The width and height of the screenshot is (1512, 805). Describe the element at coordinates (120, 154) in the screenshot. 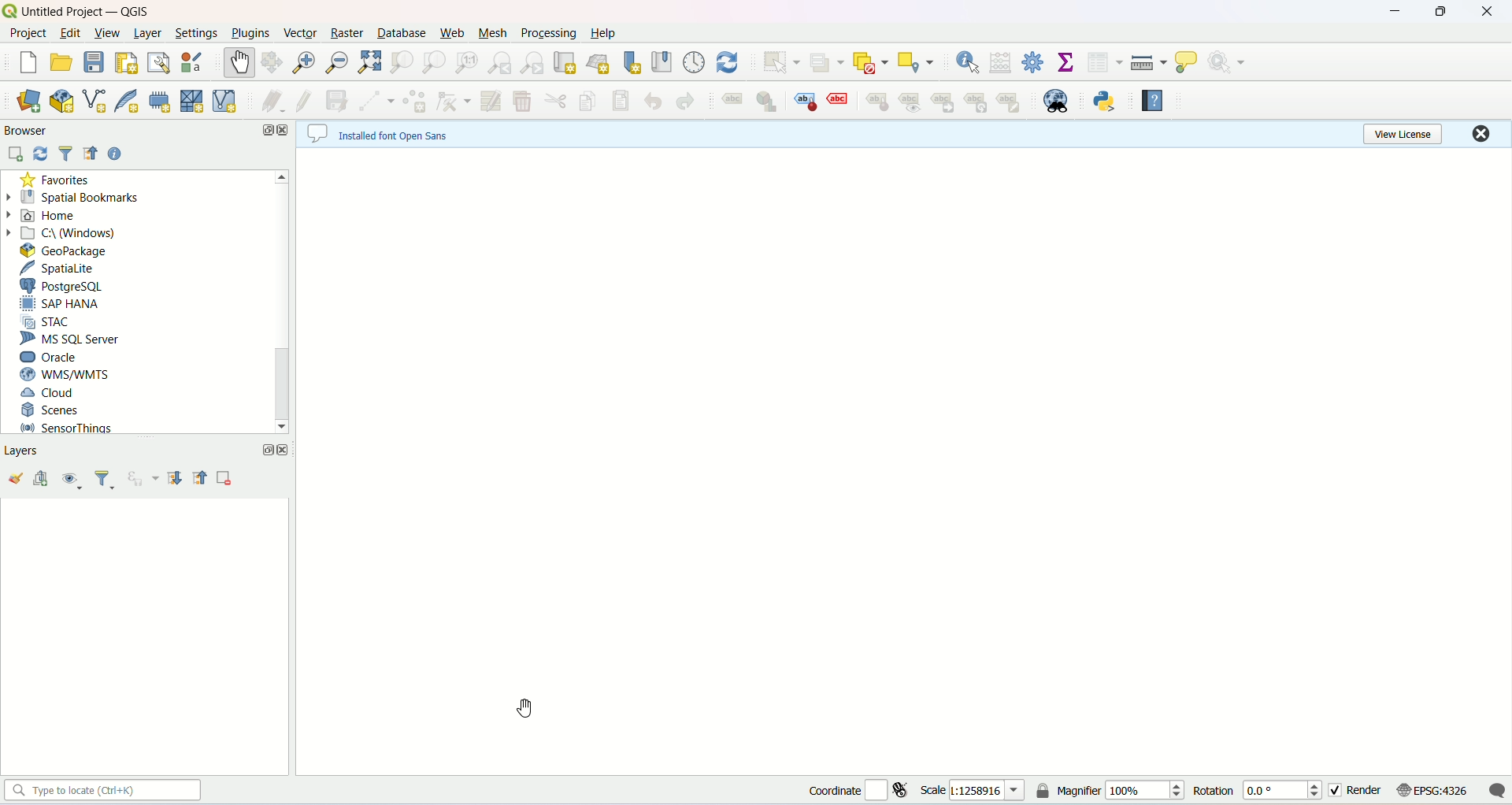

I see `help` at that location.